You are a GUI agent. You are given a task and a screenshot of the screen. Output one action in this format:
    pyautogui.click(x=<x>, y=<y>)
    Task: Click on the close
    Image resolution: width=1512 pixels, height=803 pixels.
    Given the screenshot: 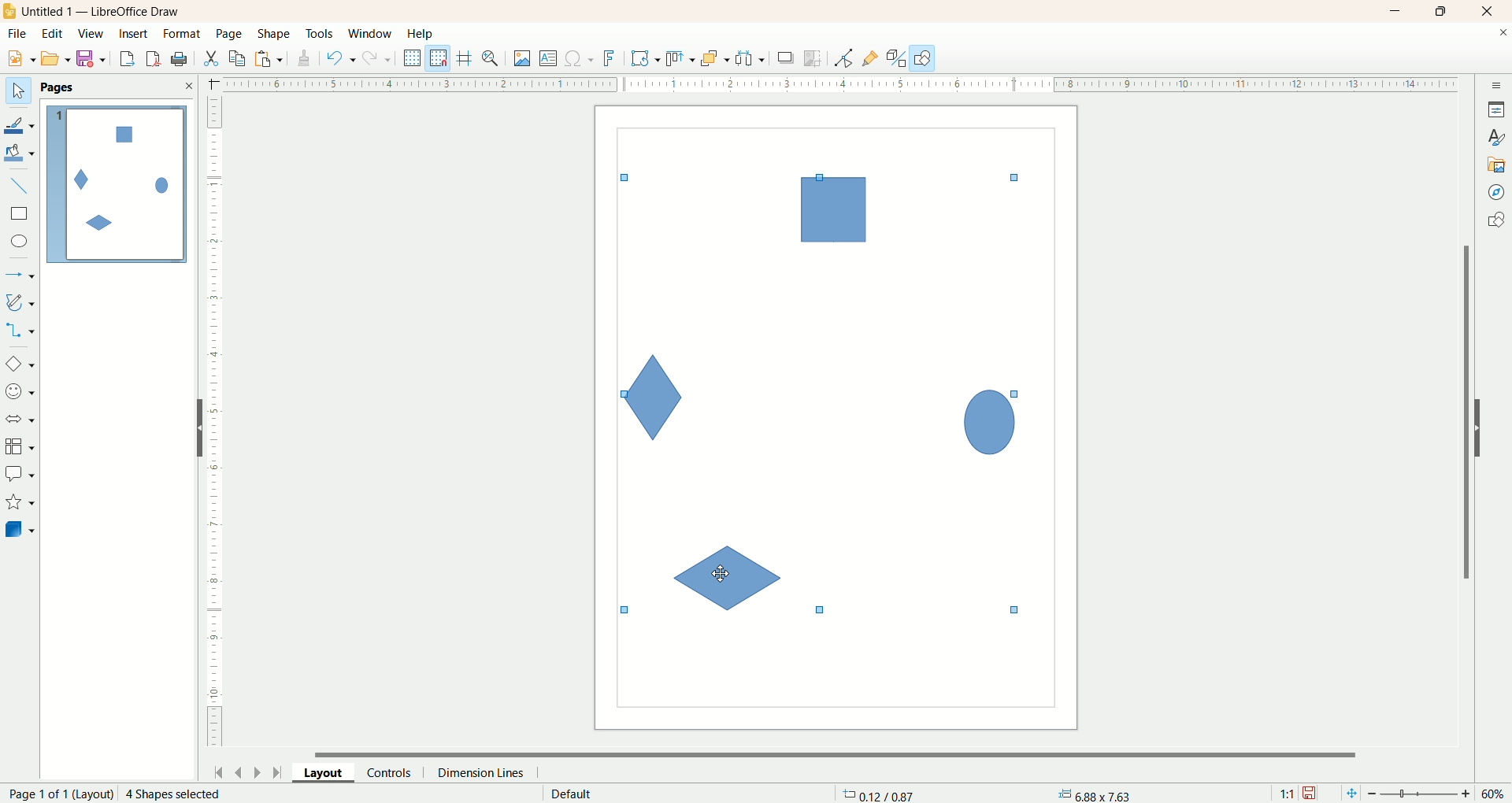 What is the action you would take?
    pyautogui.click(x=1503, y=35)
    